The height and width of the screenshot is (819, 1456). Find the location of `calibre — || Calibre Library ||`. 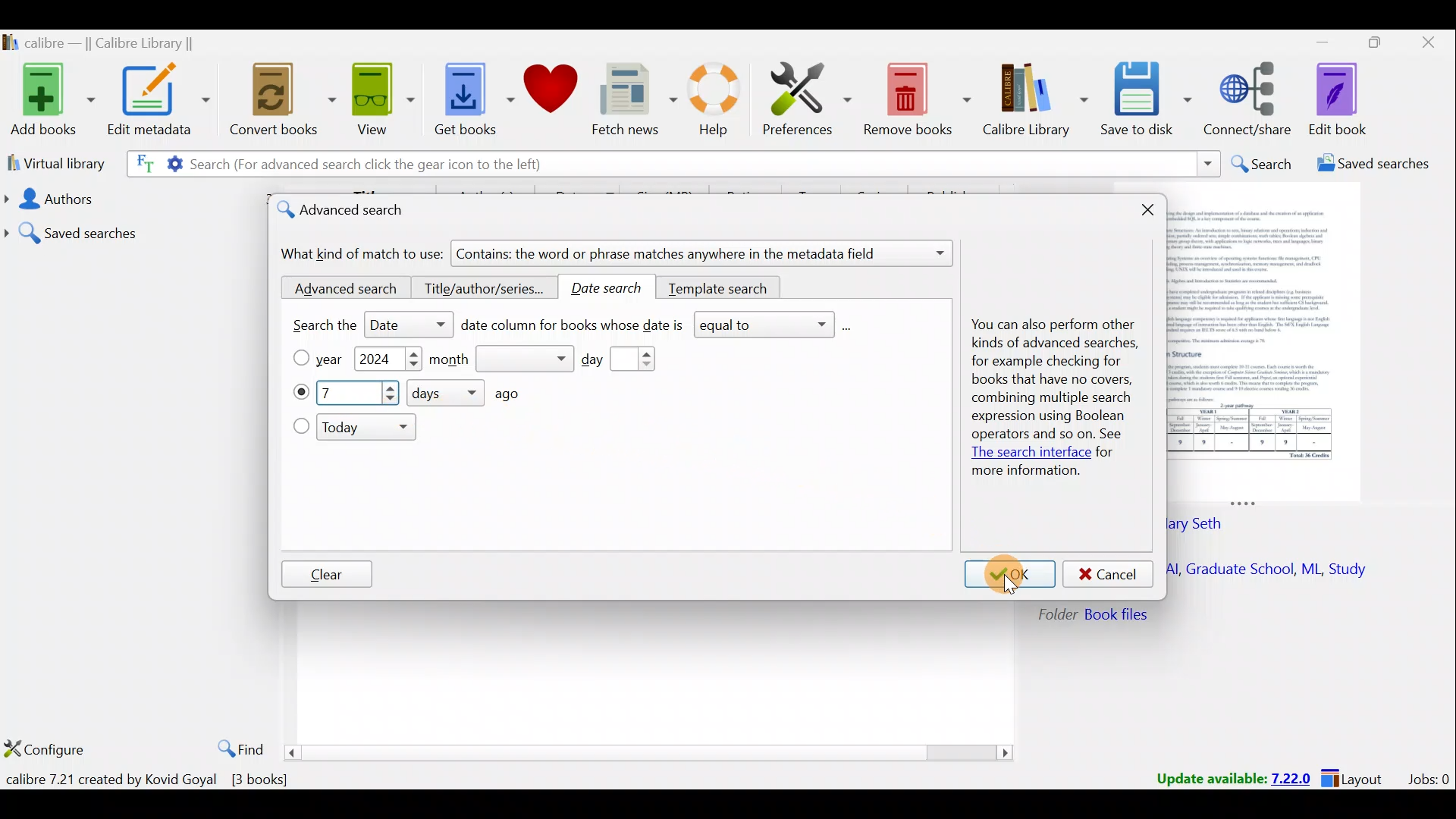

calibre — || Calibre Library || is located at coordinates (118, 42).